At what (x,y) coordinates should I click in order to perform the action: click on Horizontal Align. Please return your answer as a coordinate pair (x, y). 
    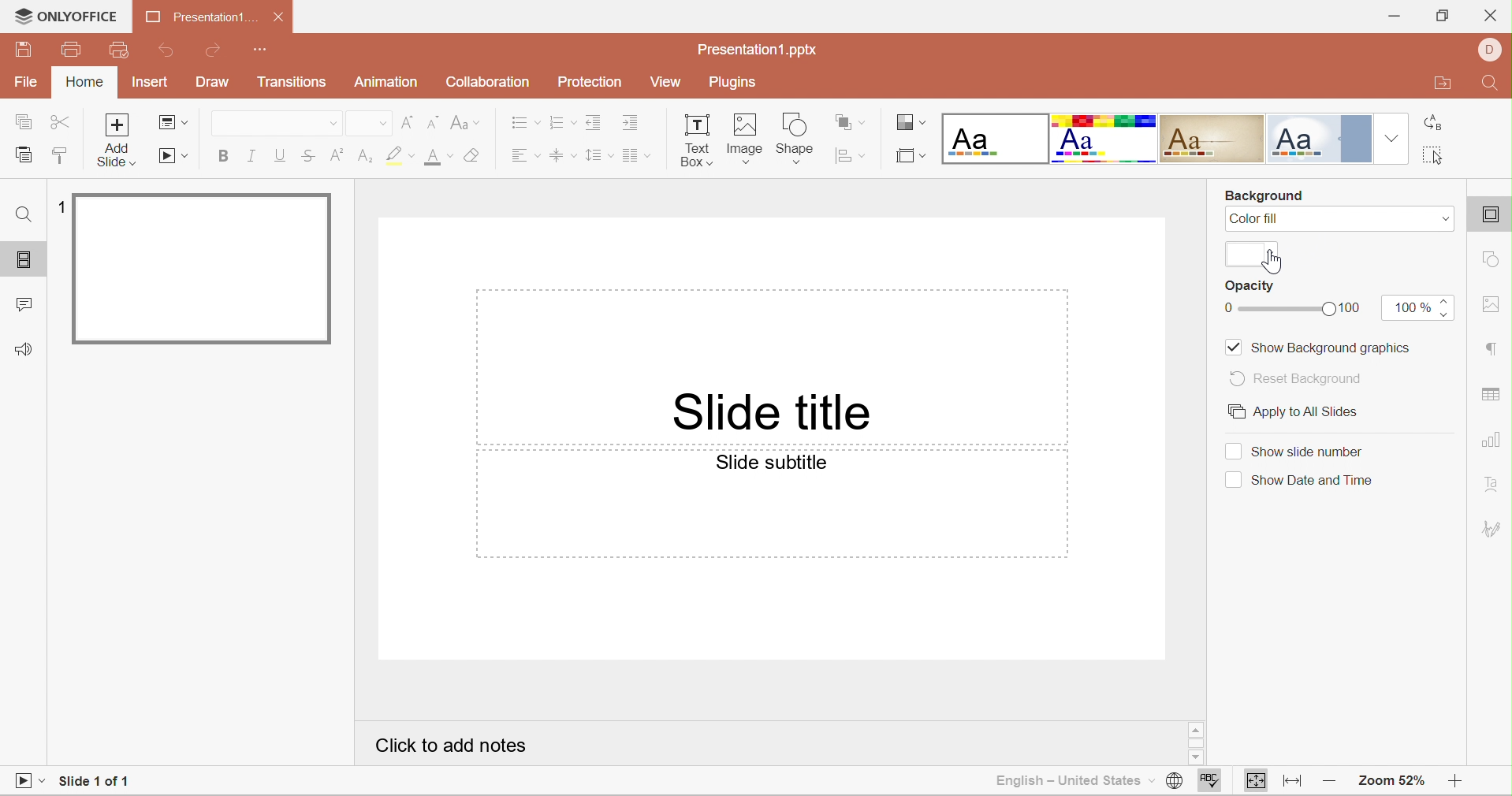
    Looking at the image, I should click on (525, 157).